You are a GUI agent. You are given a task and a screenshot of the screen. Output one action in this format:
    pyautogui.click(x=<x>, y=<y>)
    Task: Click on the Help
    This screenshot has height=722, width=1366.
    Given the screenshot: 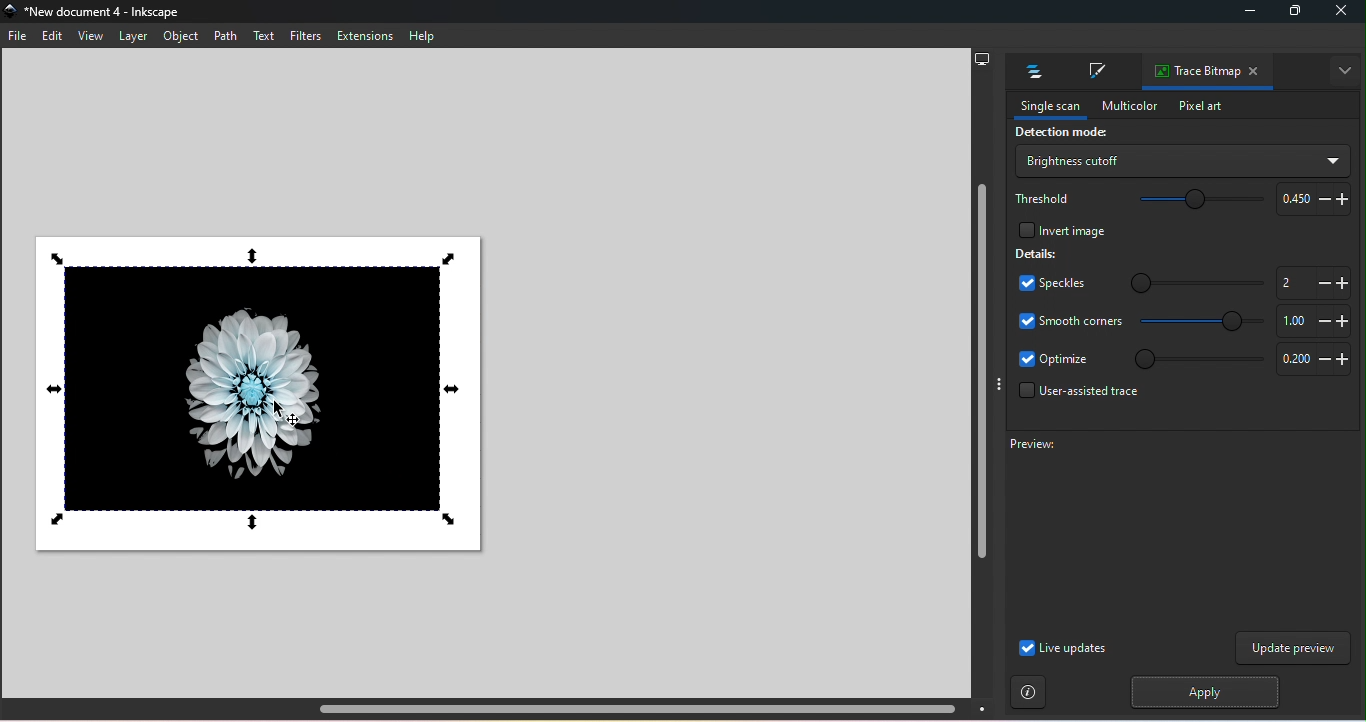 What is the action you would take?
    pyautogui.click(x=422, y=36)
    